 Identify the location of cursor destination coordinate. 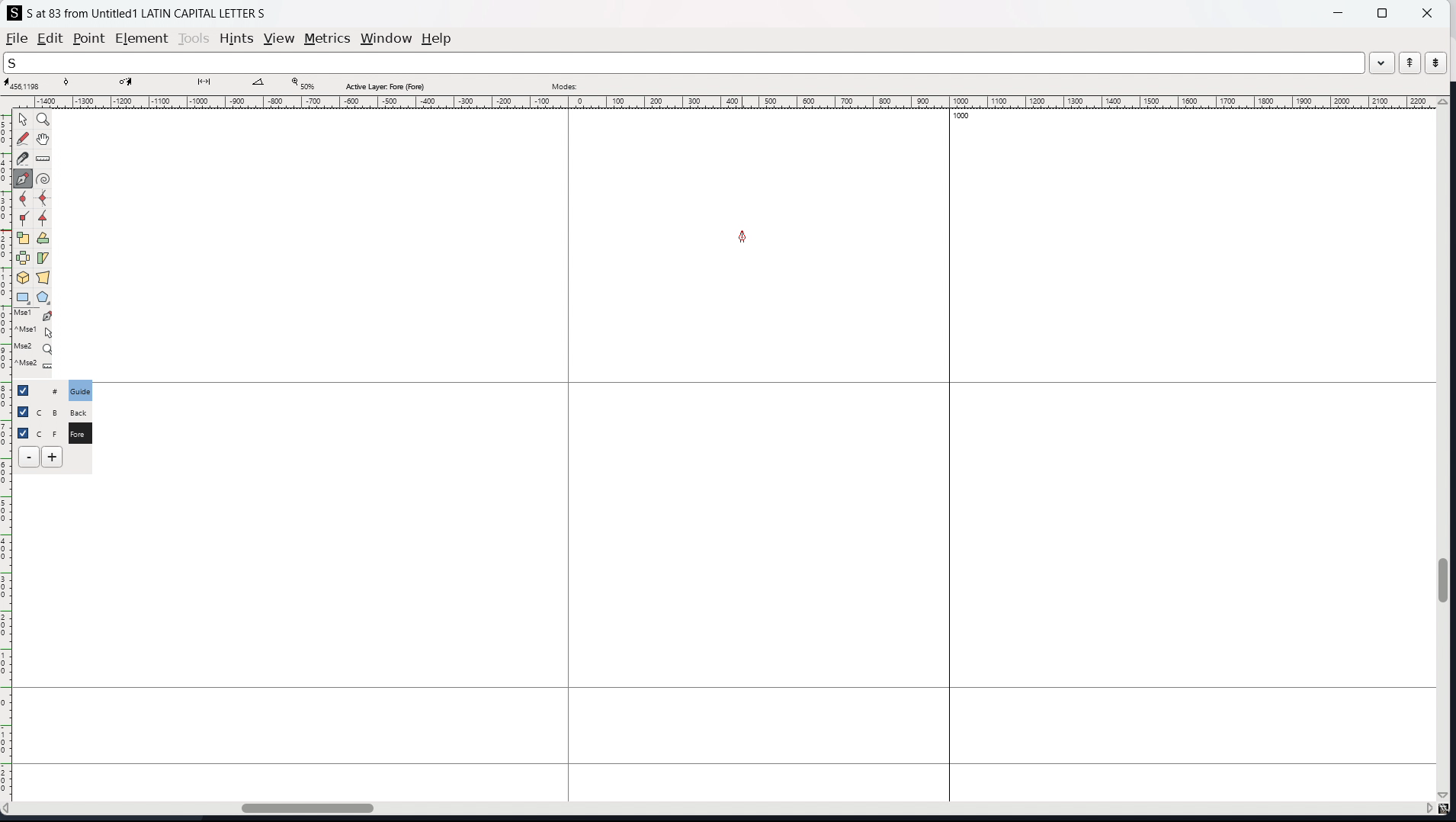
(128, 85).